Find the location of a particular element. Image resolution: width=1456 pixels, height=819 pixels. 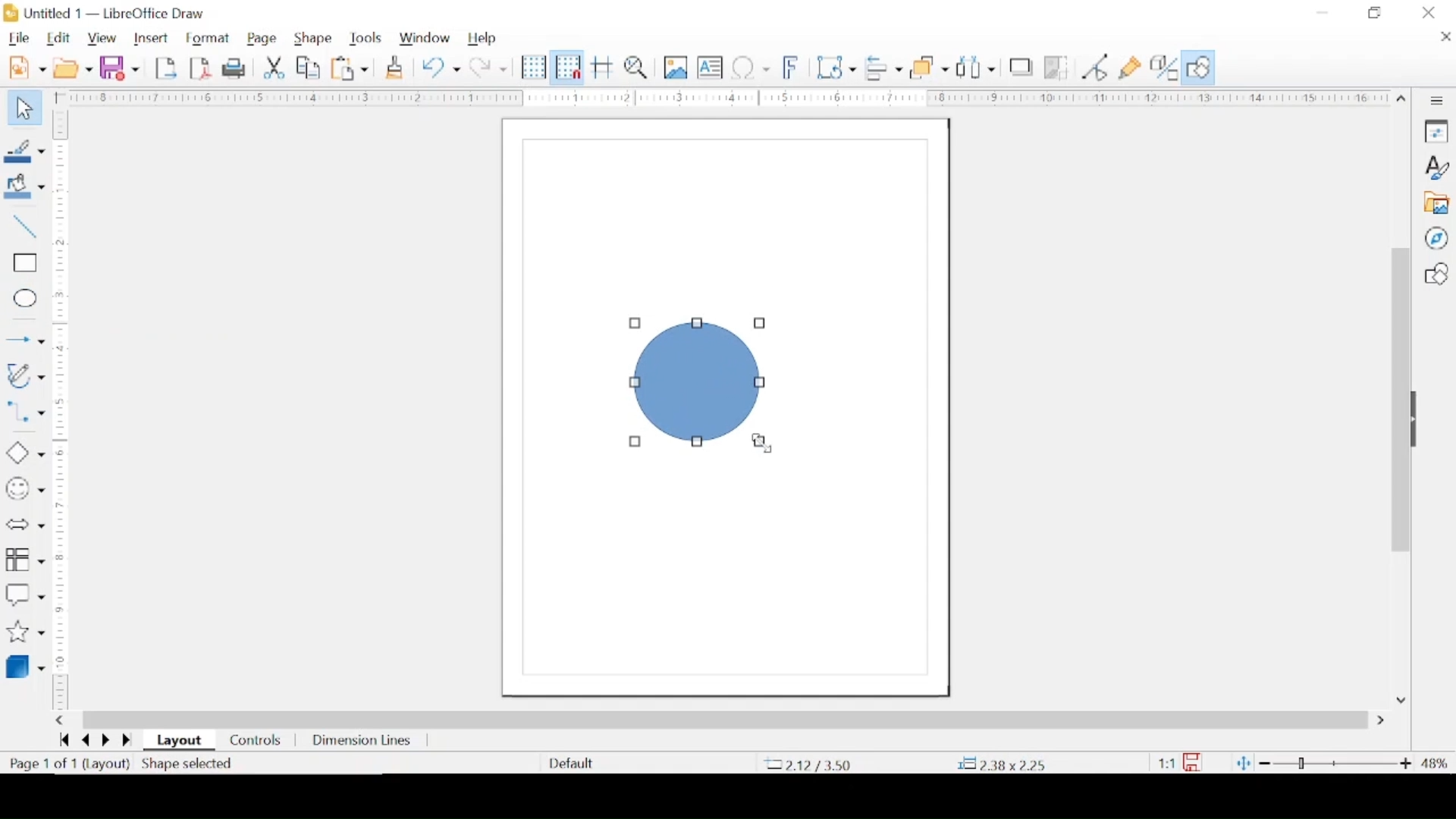

helplines while moving is located at coordinates (603, 67).